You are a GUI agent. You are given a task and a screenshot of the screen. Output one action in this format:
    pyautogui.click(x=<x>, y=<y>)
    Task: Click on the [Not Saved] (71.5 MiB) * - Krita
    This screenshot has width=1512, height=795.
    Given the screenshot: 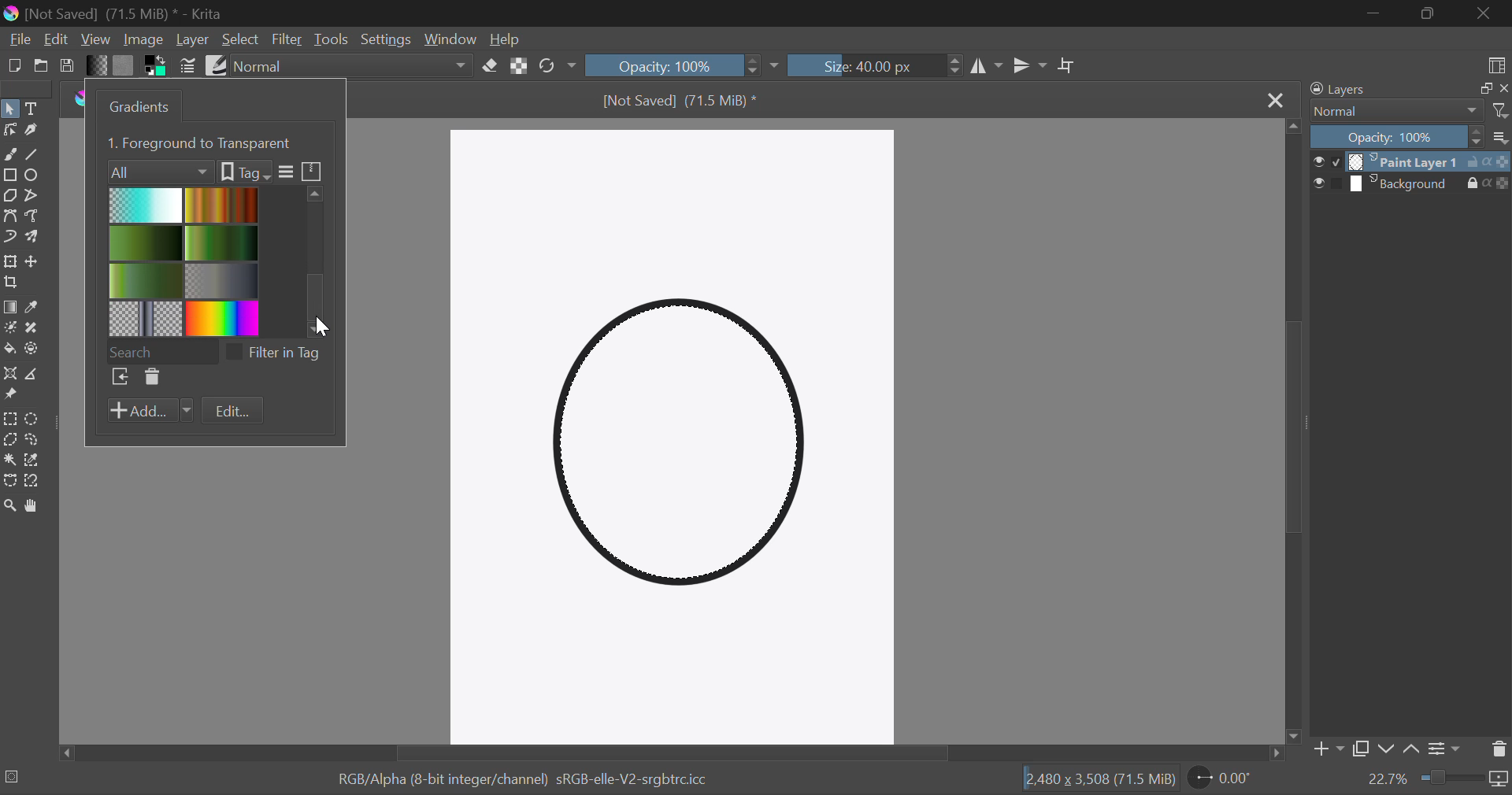 What is the action you would take?
    pyautogui.click(x=124, y=15)
    